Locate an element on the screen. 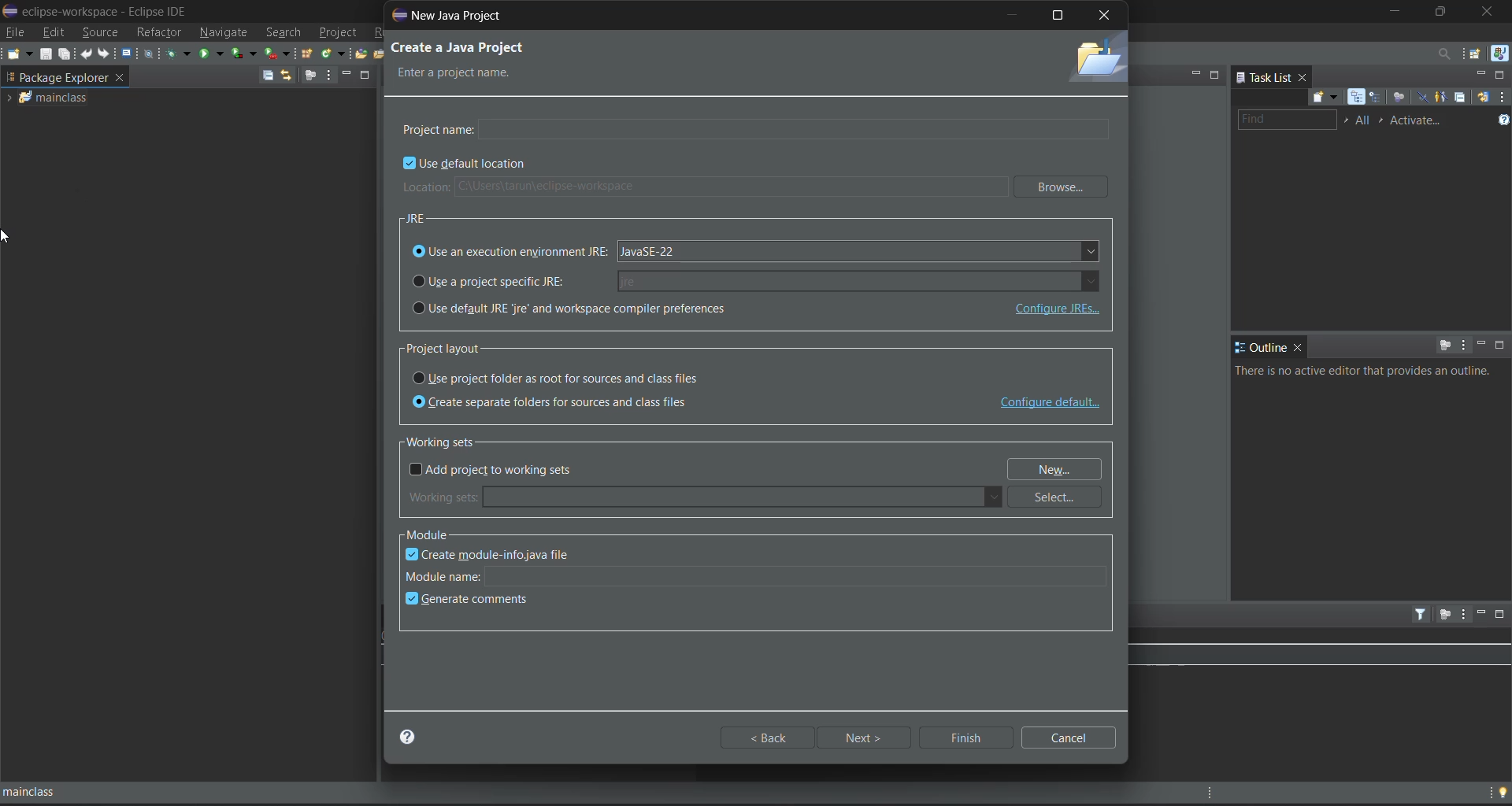  focus on active tasks  is located at coordinates (310, 76).